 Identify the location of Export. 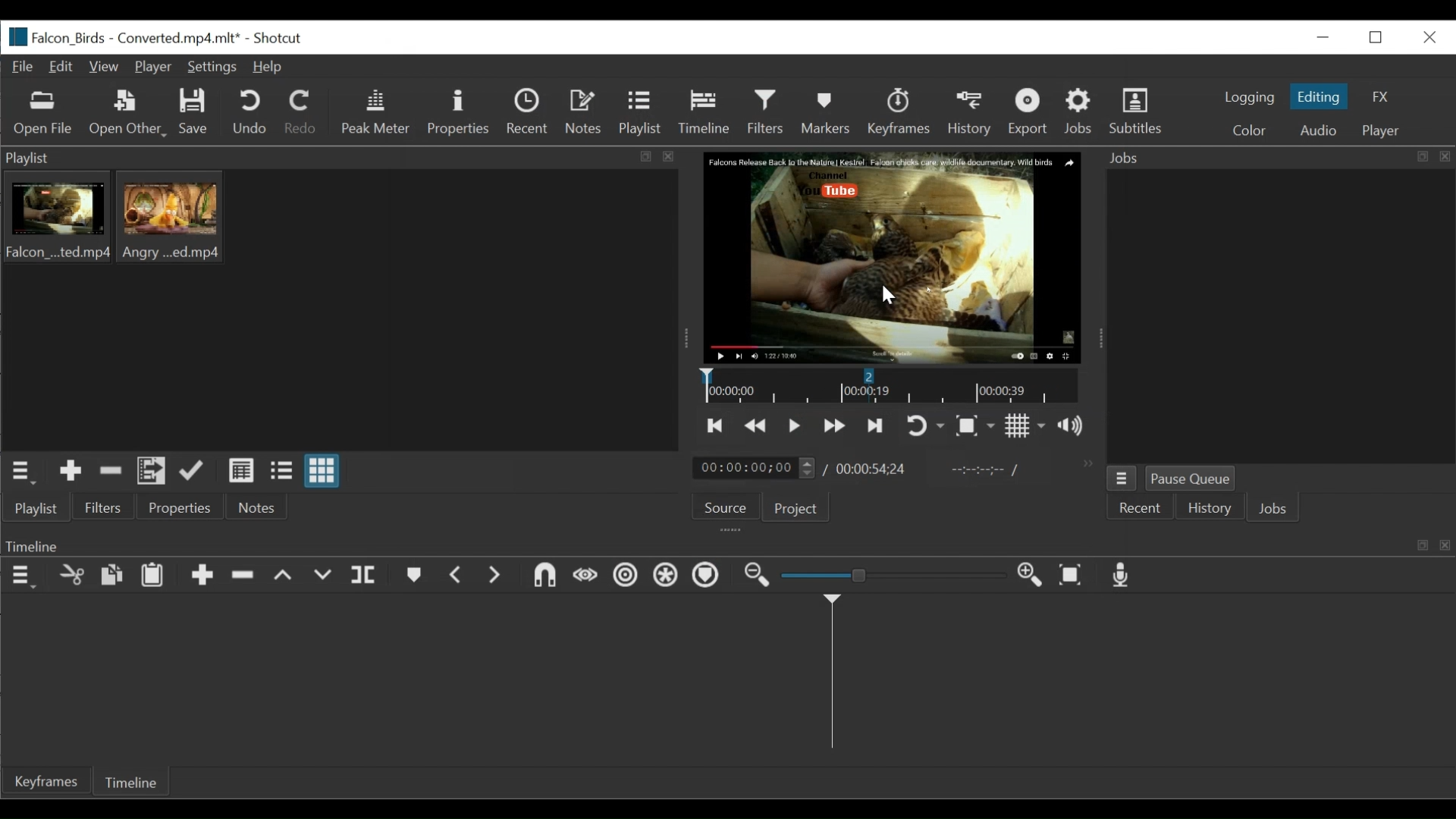
(1031, 112).